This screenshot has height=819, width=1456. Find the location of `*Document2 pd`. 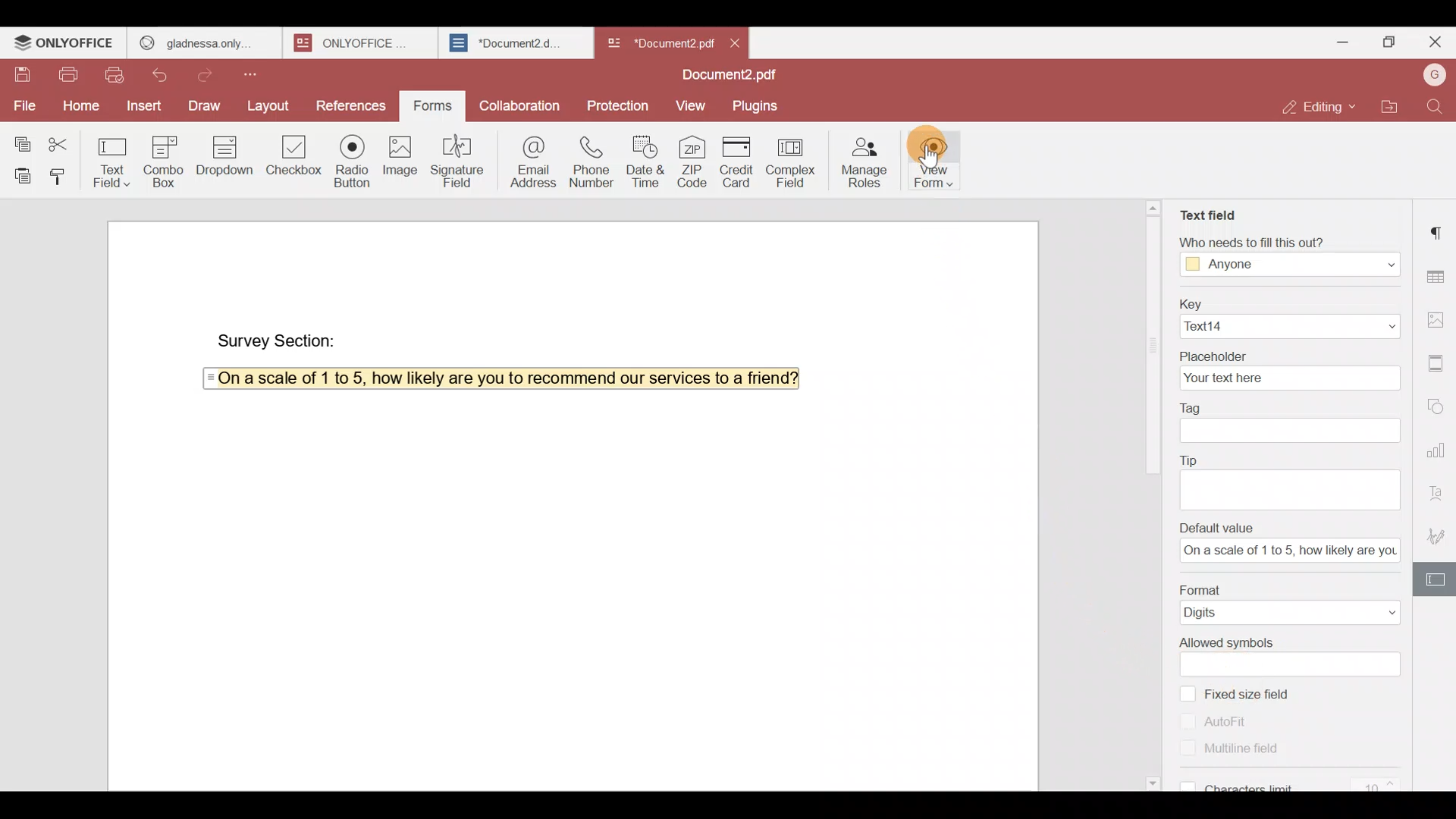

*Document2 pd is located at coordinates (657, 42).